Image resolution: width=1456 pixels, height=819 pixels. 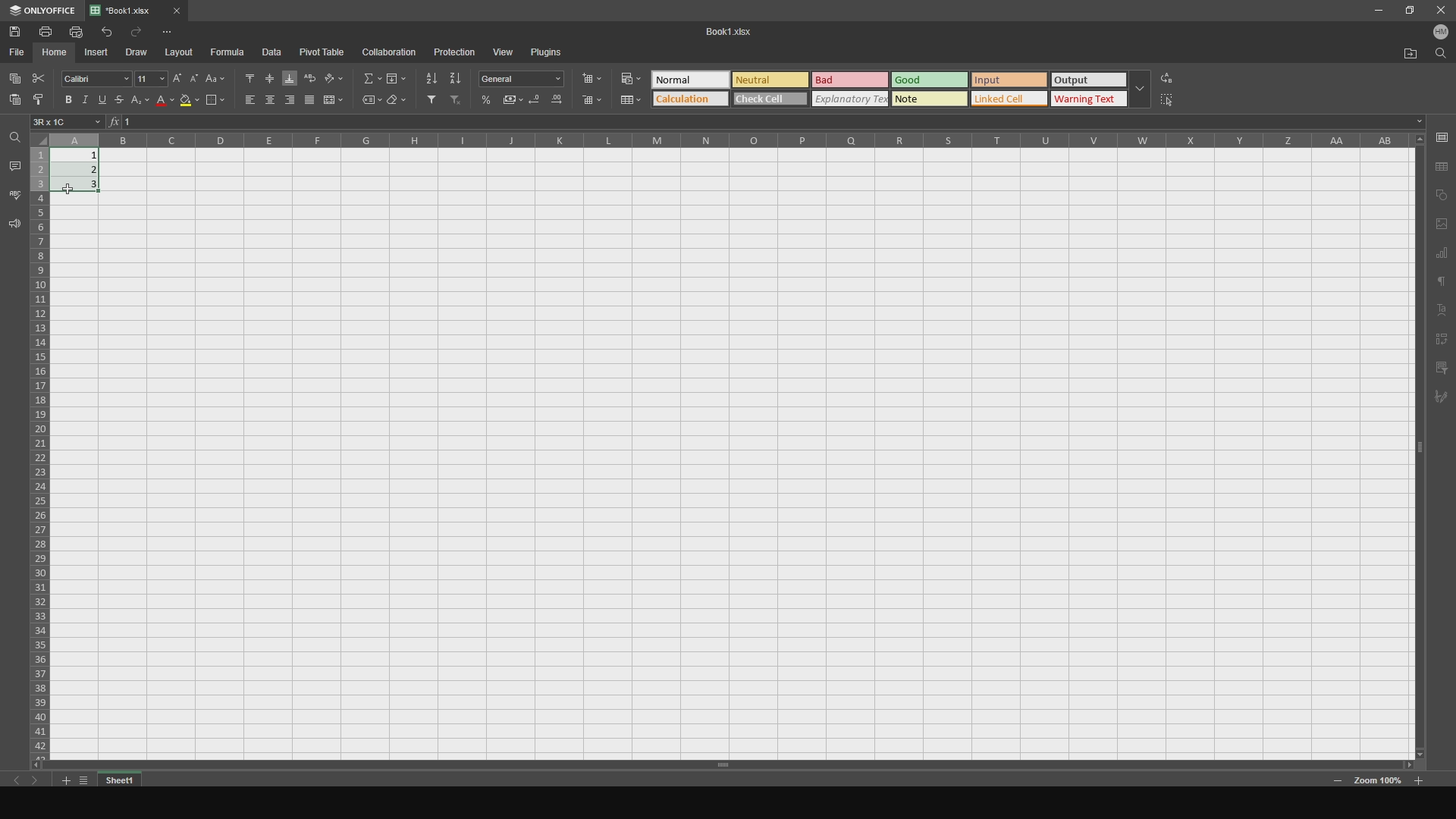 I want to click on italic, so click(x=86, y=98).